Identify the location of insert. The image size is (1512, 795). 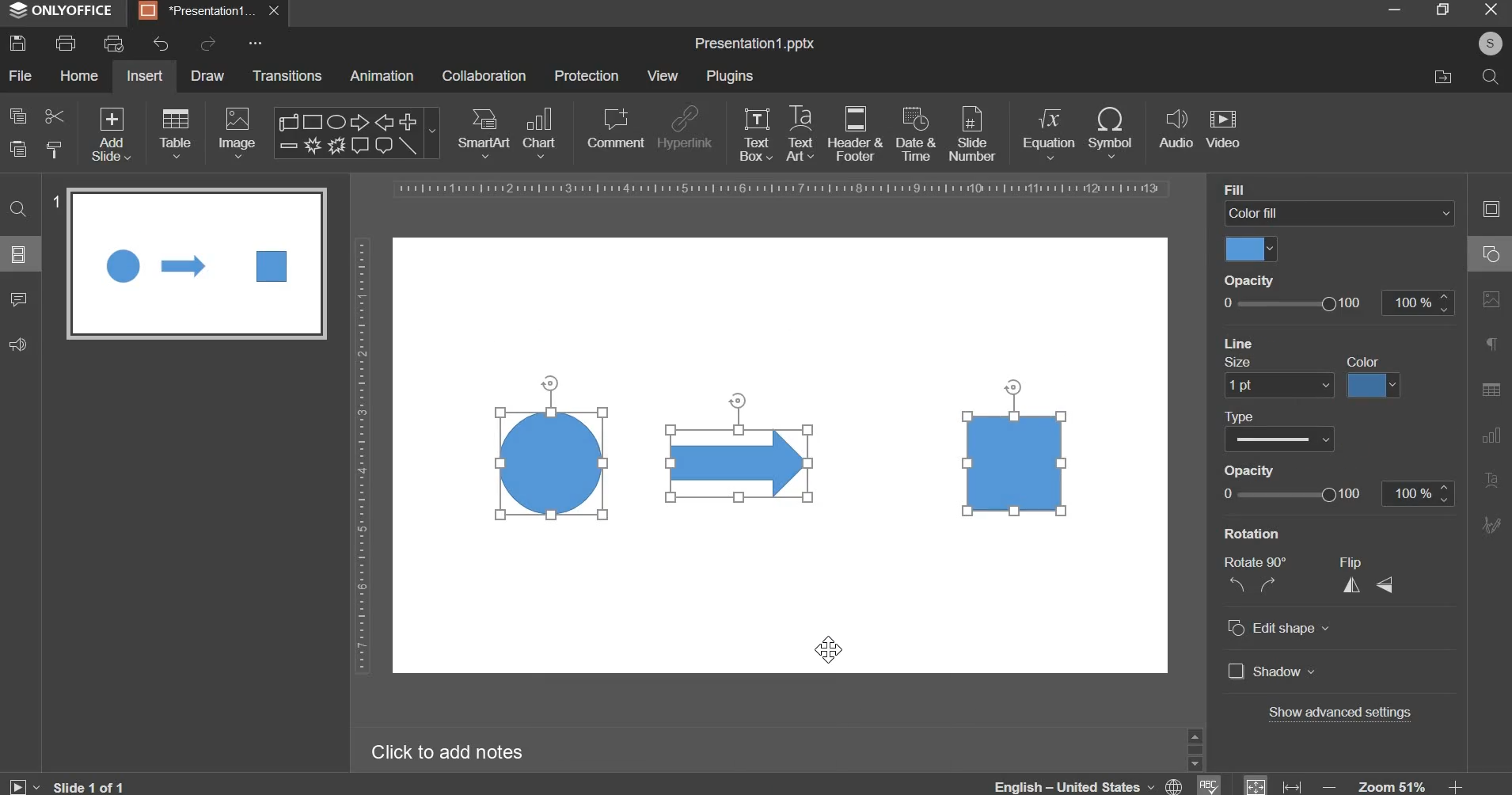
(145, 75).